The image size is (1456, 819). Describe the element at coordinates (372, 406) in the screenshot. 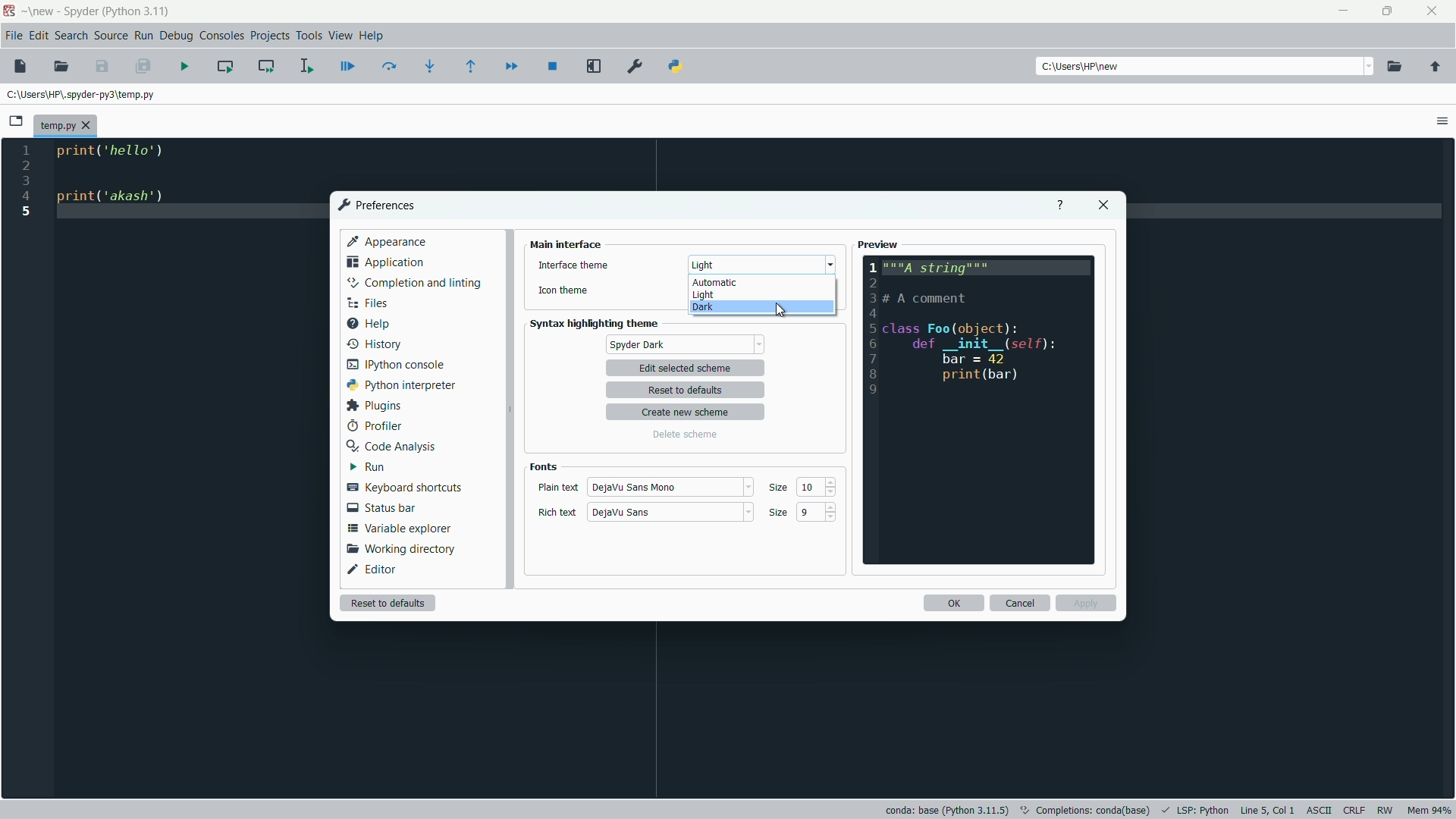

I see `plugins` at that location.